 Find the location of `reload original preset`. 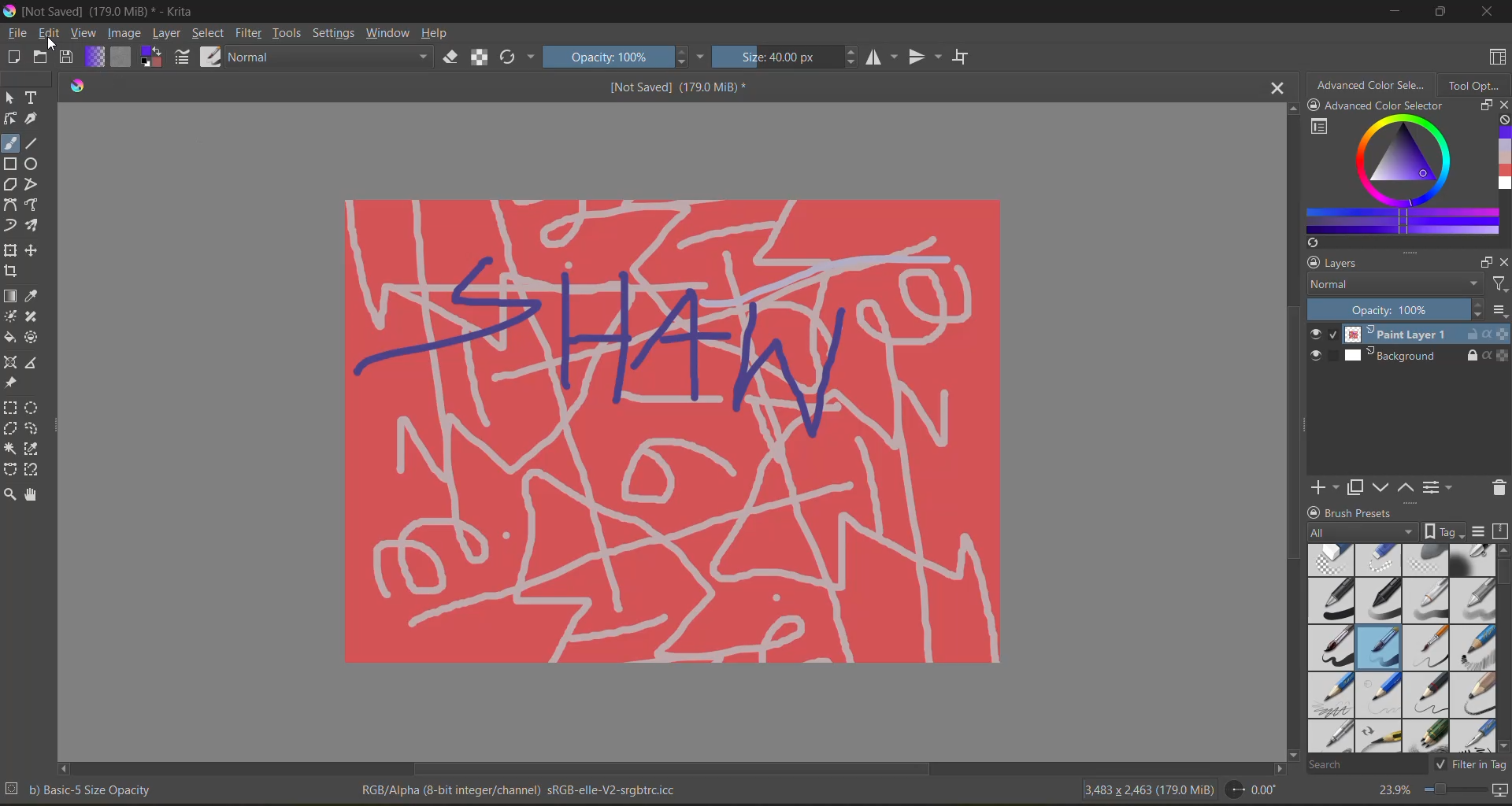

reload original preset is located at coordinates (518, 56).